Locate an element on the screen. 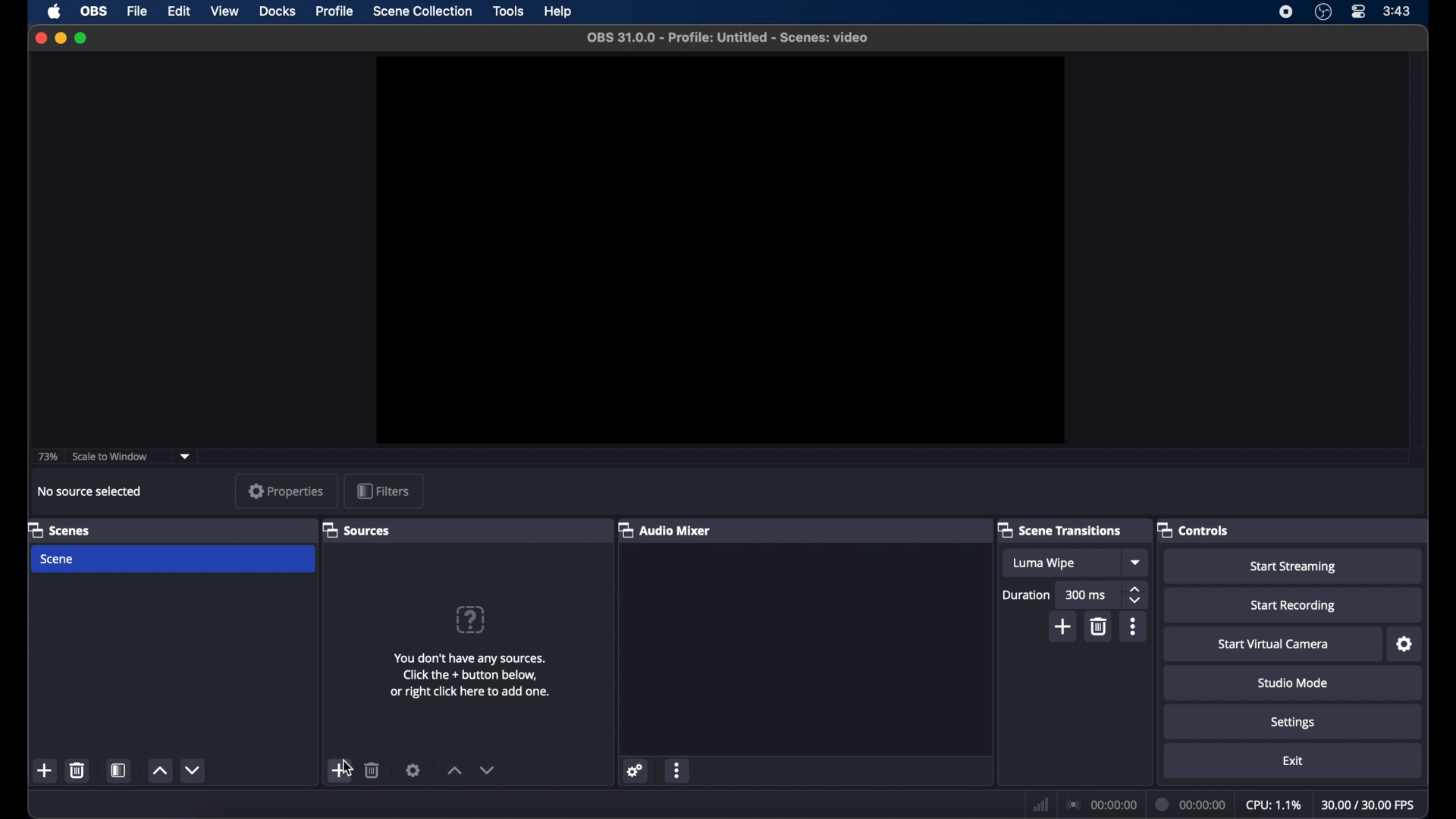  scene collection is located at coordinates (422, 11).